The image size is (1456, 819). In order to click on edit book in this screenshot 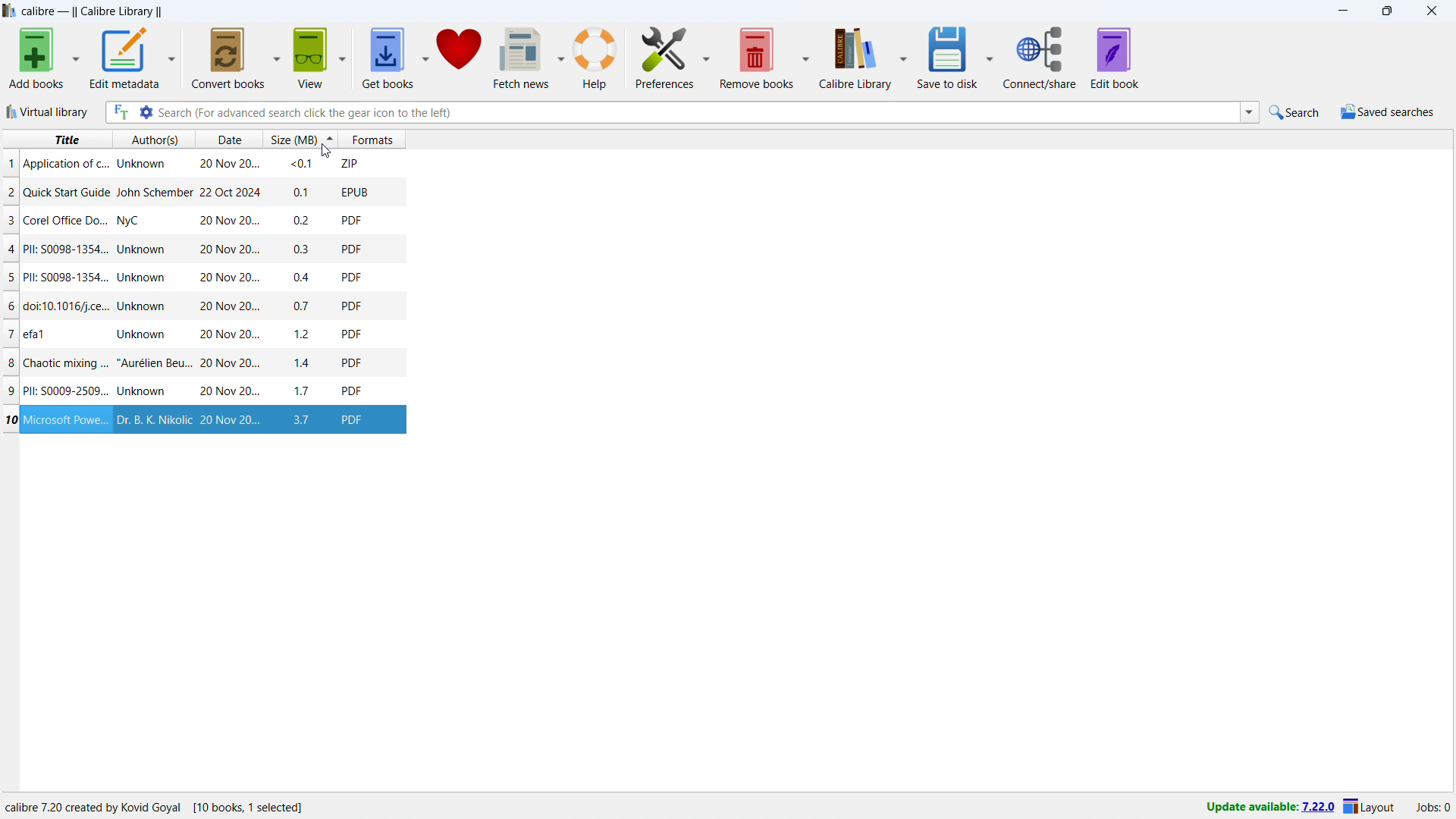, I will do `click(1115, 57)`.